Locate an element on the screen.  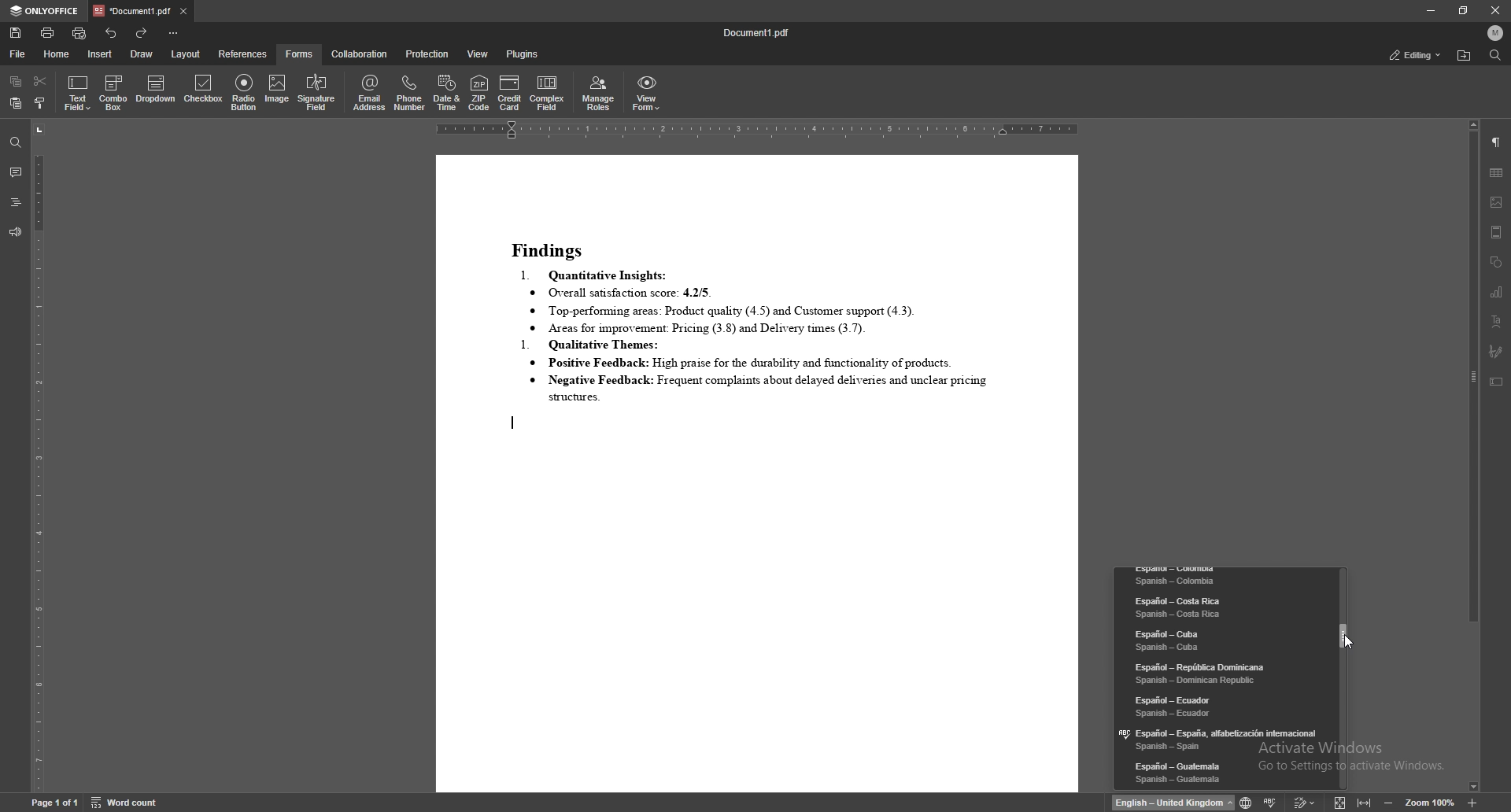
text box is located at coordinates (1496, 382).